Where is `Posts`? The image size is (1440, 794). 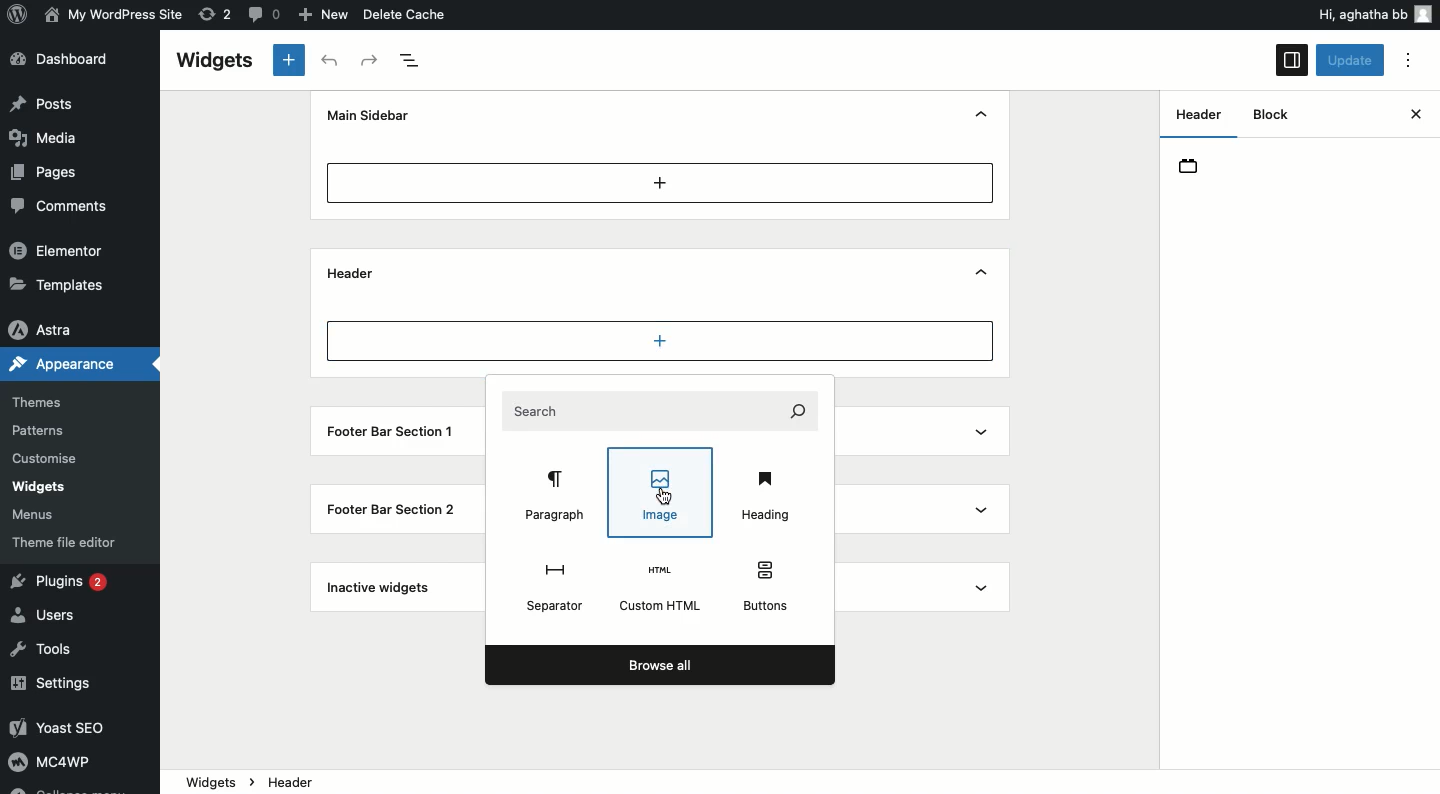
Posts is located at coordinates (44, 103).